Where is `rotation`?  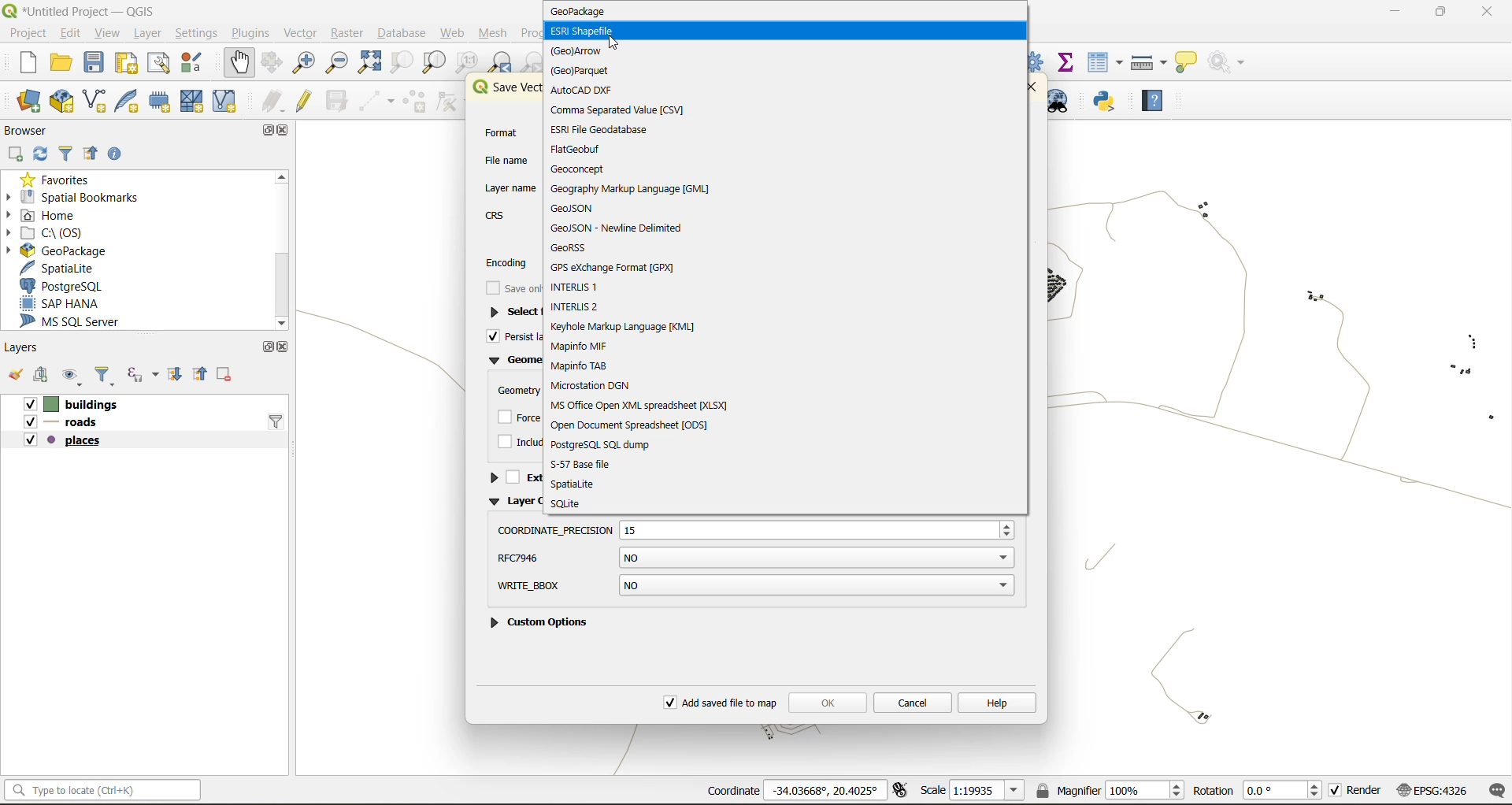
rotation is located at coordinates (1258, 792).